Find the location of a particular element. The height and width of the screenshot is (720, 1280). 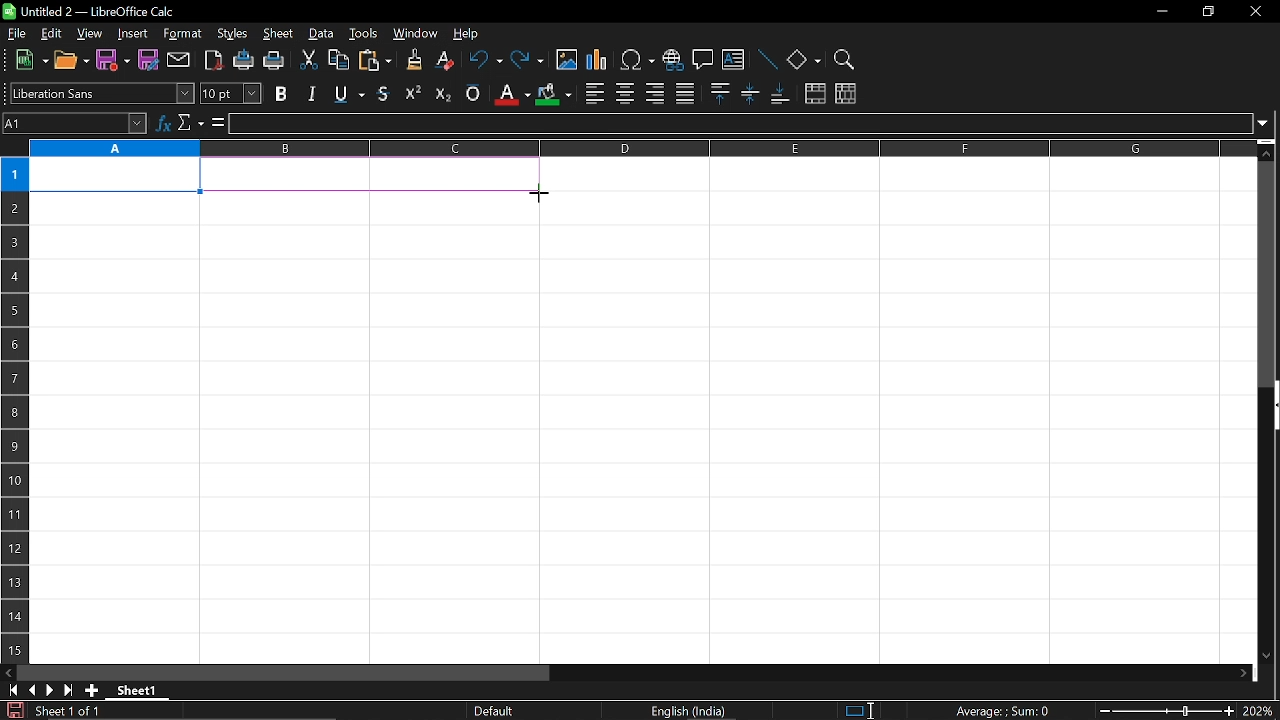

cell color is located at coordinates (553, 95).